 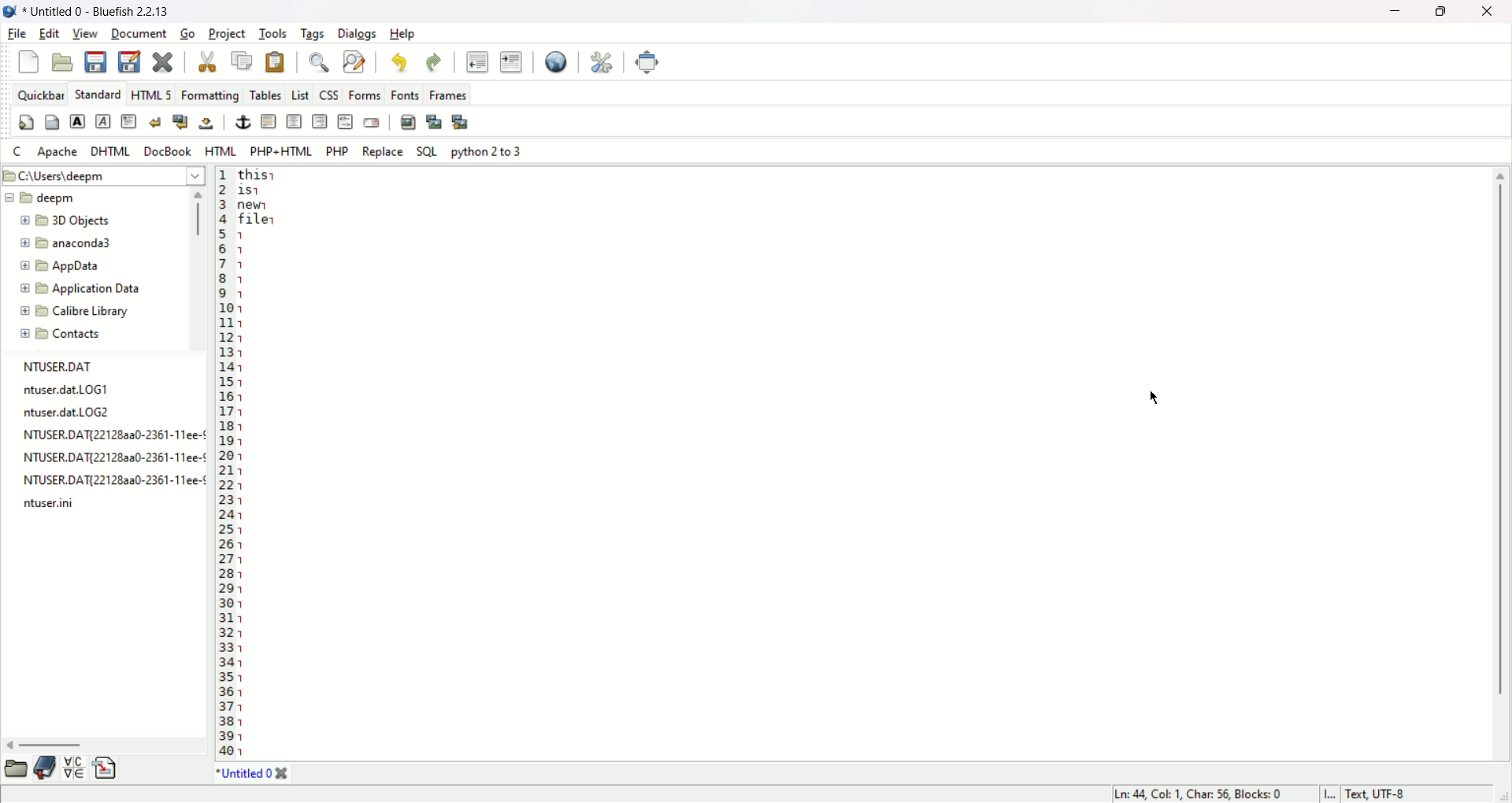 I want to click on Folder name, so click(x=80, y=287).